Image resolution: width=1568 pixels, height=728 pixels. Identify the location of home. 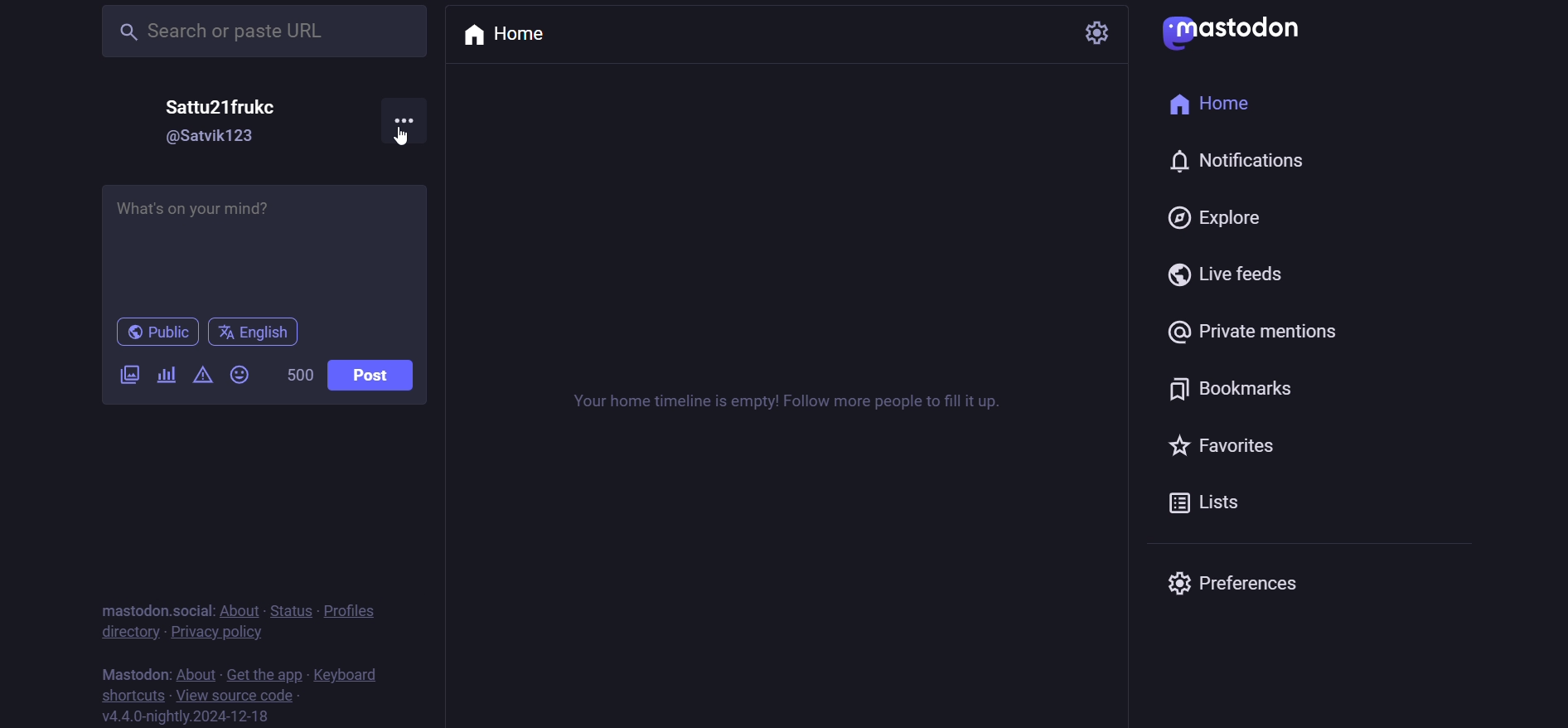
(511, 36).